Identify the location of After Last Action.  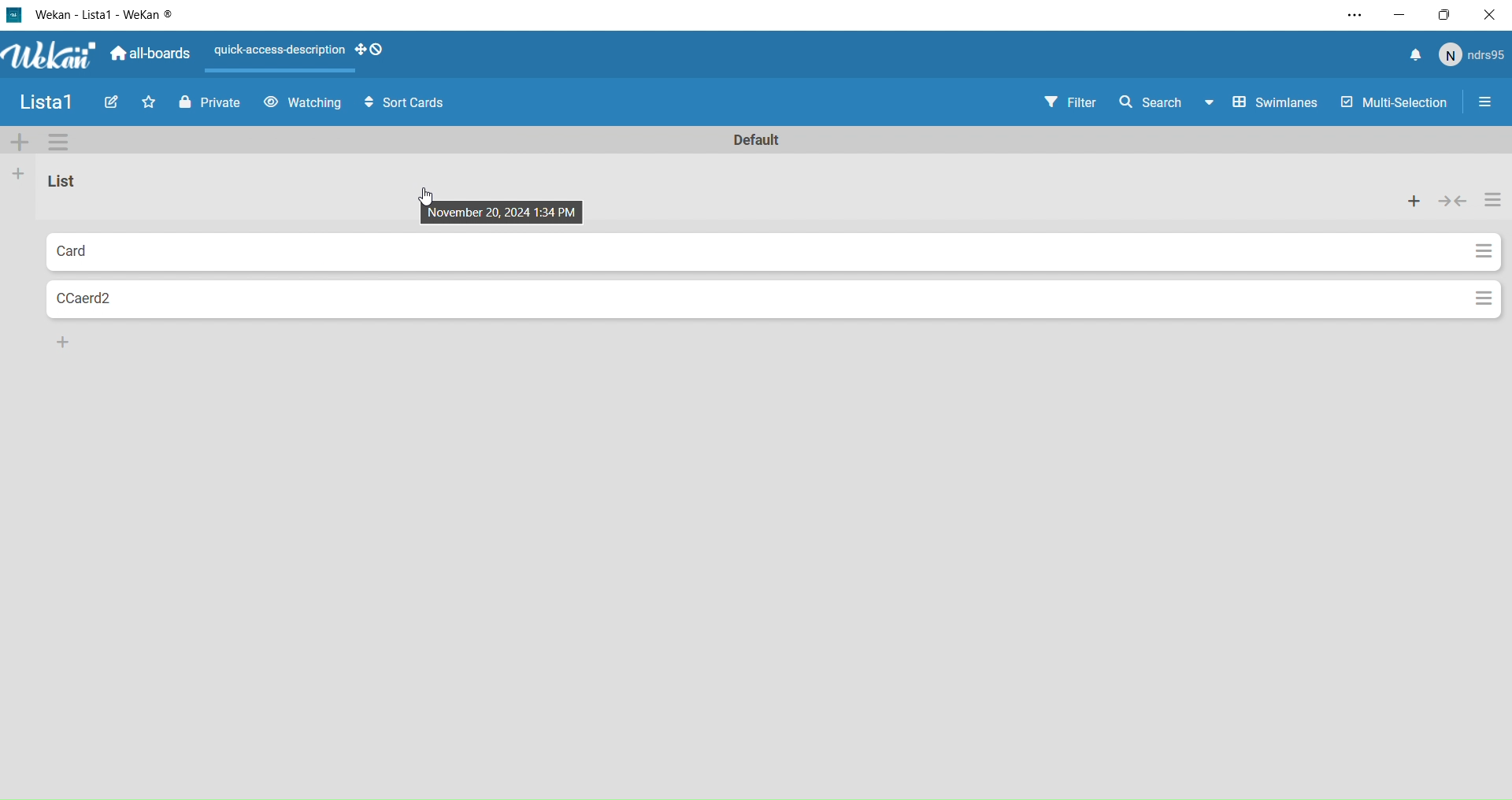
(303, 102).